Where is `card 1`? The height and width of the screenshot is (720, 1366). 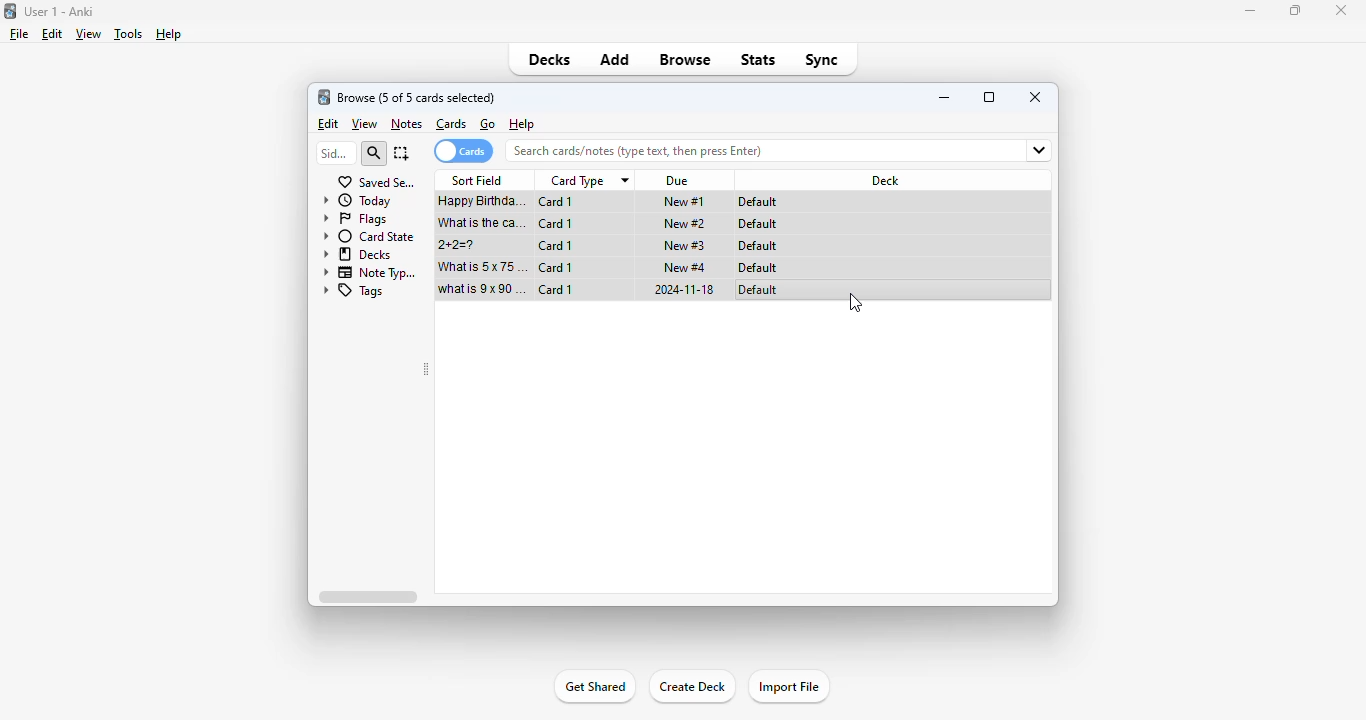
card 1 is located at coordinates (557, 202).